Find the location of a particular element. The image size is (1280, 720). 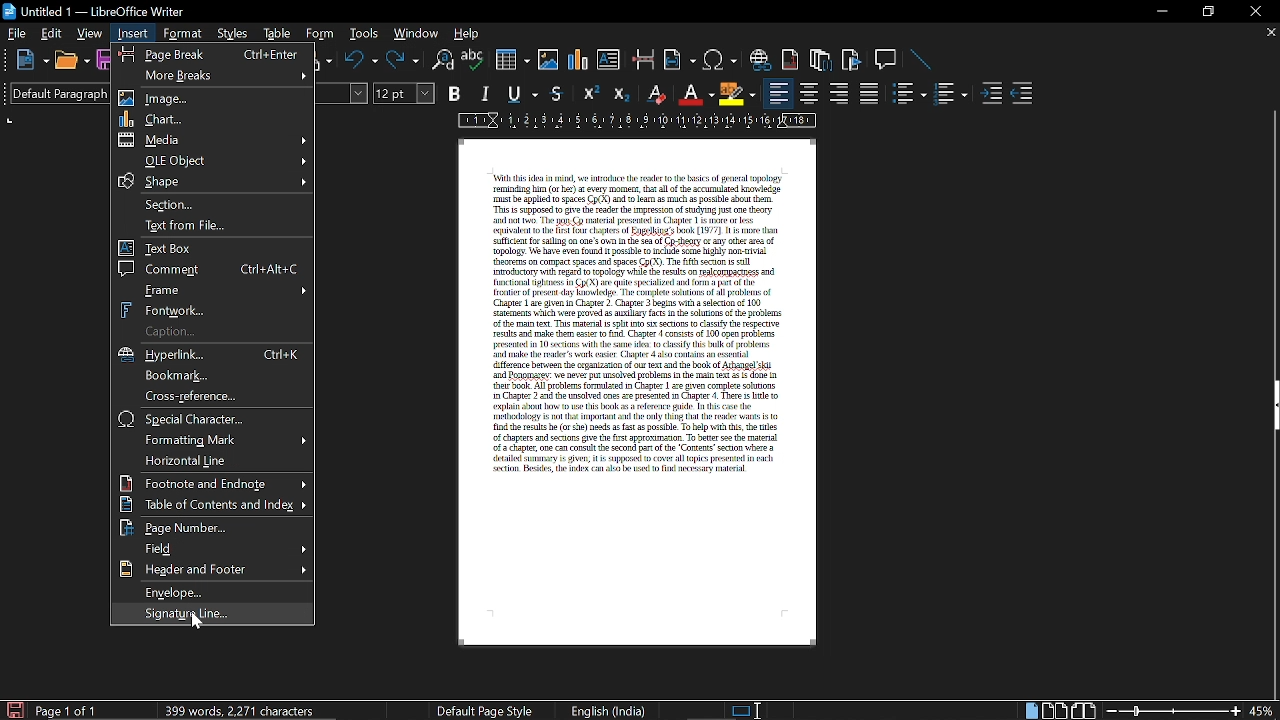

crossreference is located at coordinates (210, 398).